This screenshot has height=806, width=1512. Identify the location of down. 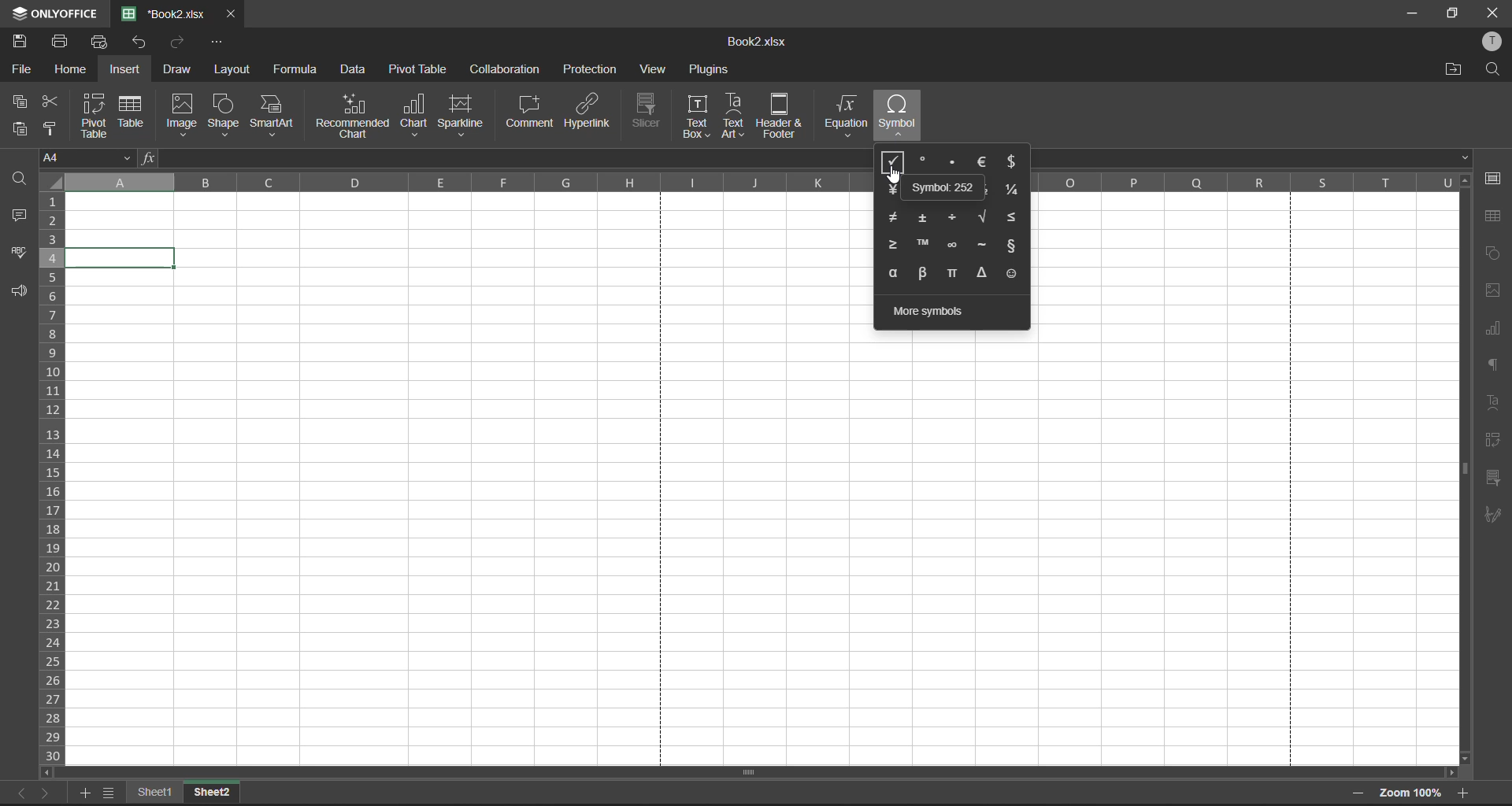
(1466, 160).